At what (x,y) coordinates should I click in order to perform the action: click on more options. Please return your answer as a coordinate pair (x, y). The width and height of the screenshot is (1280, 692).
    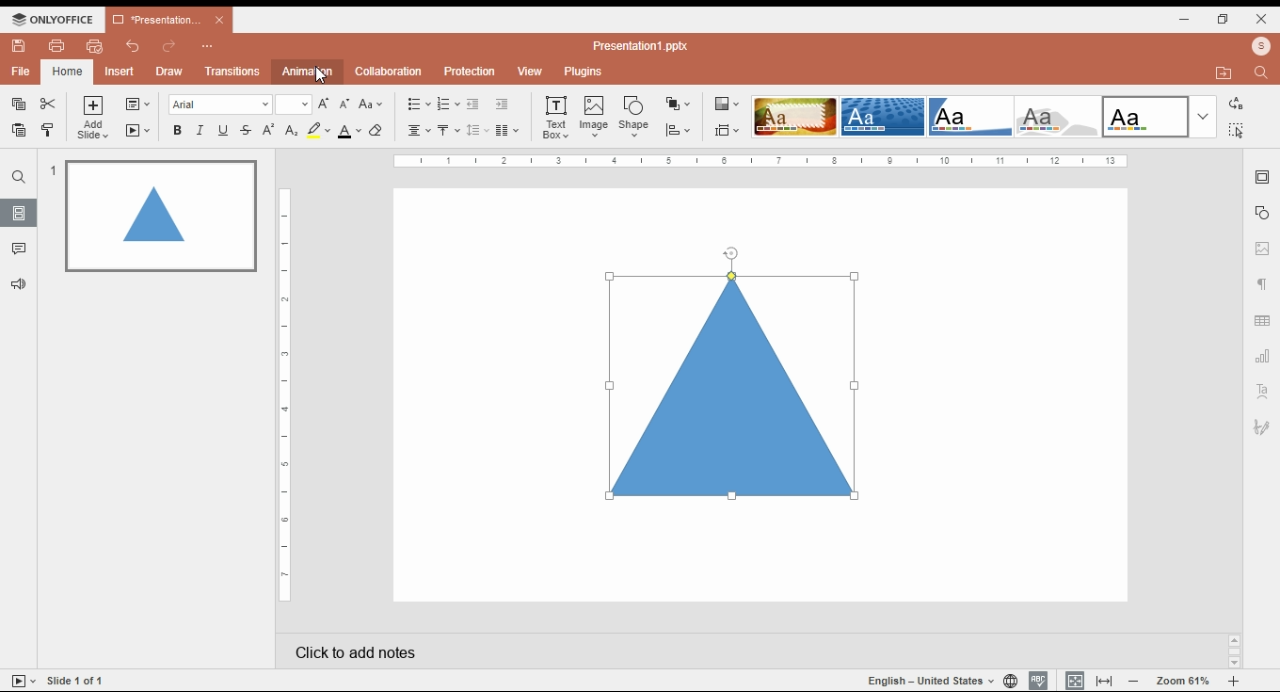
    Looking at the image, I should click on (207, 47).